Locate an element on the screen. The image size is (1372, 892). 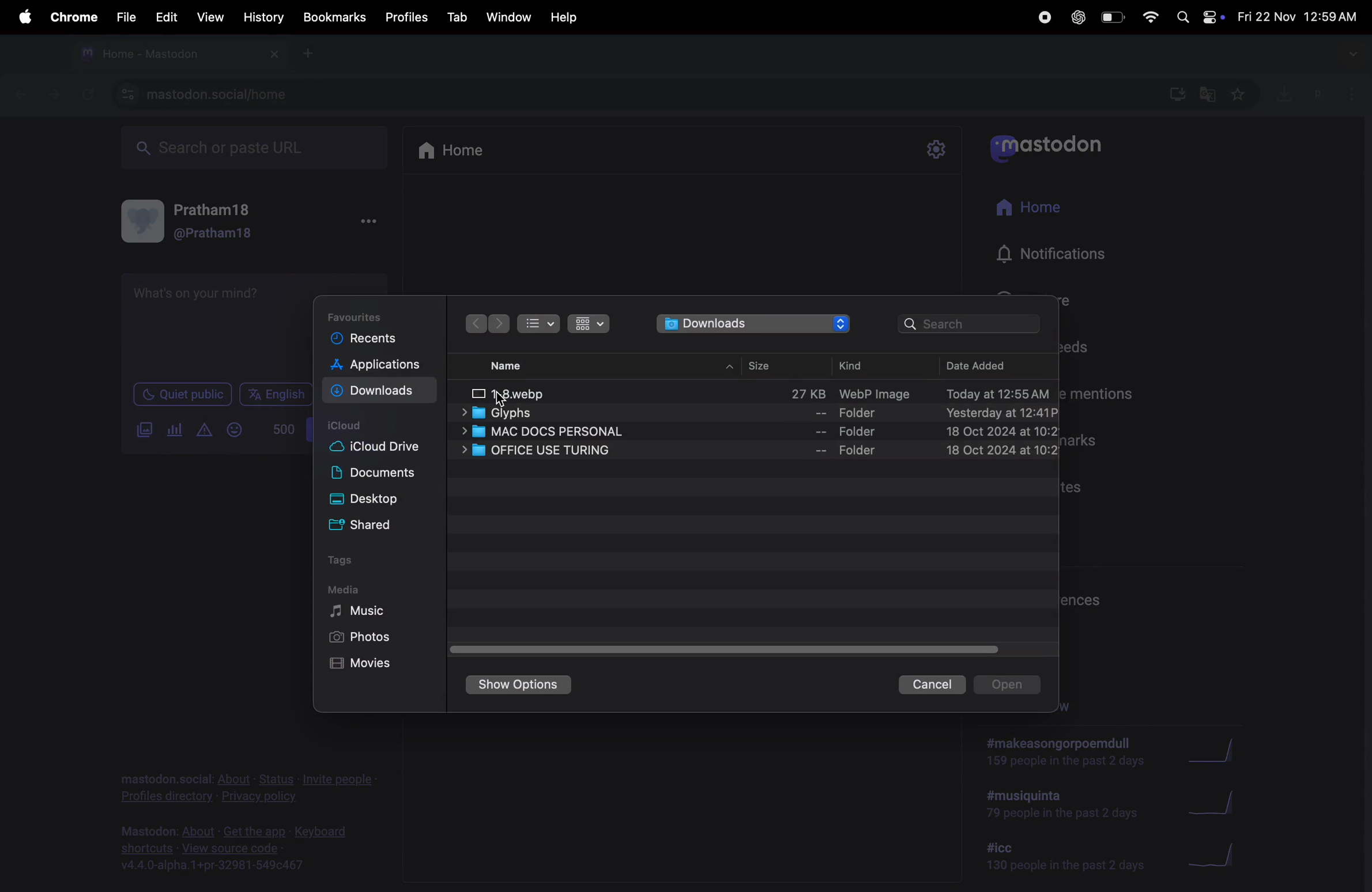
forward is located at coordinates (478, 323).